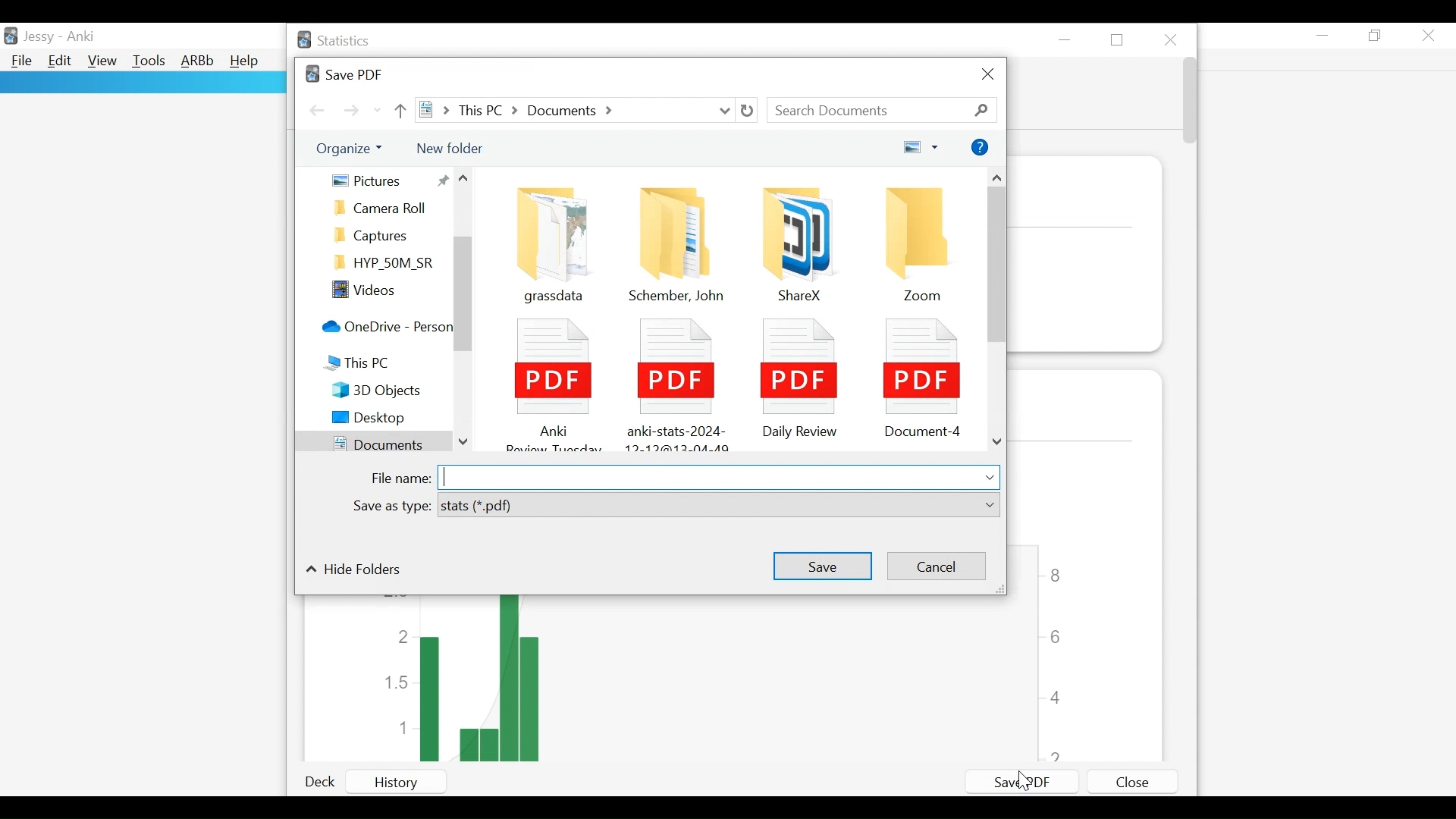 Image resolution: width=1456 pixels, height=819 pixels. Describe the element at coordinates (934, 566) in the screenshot. I see `Cancel` at that location.